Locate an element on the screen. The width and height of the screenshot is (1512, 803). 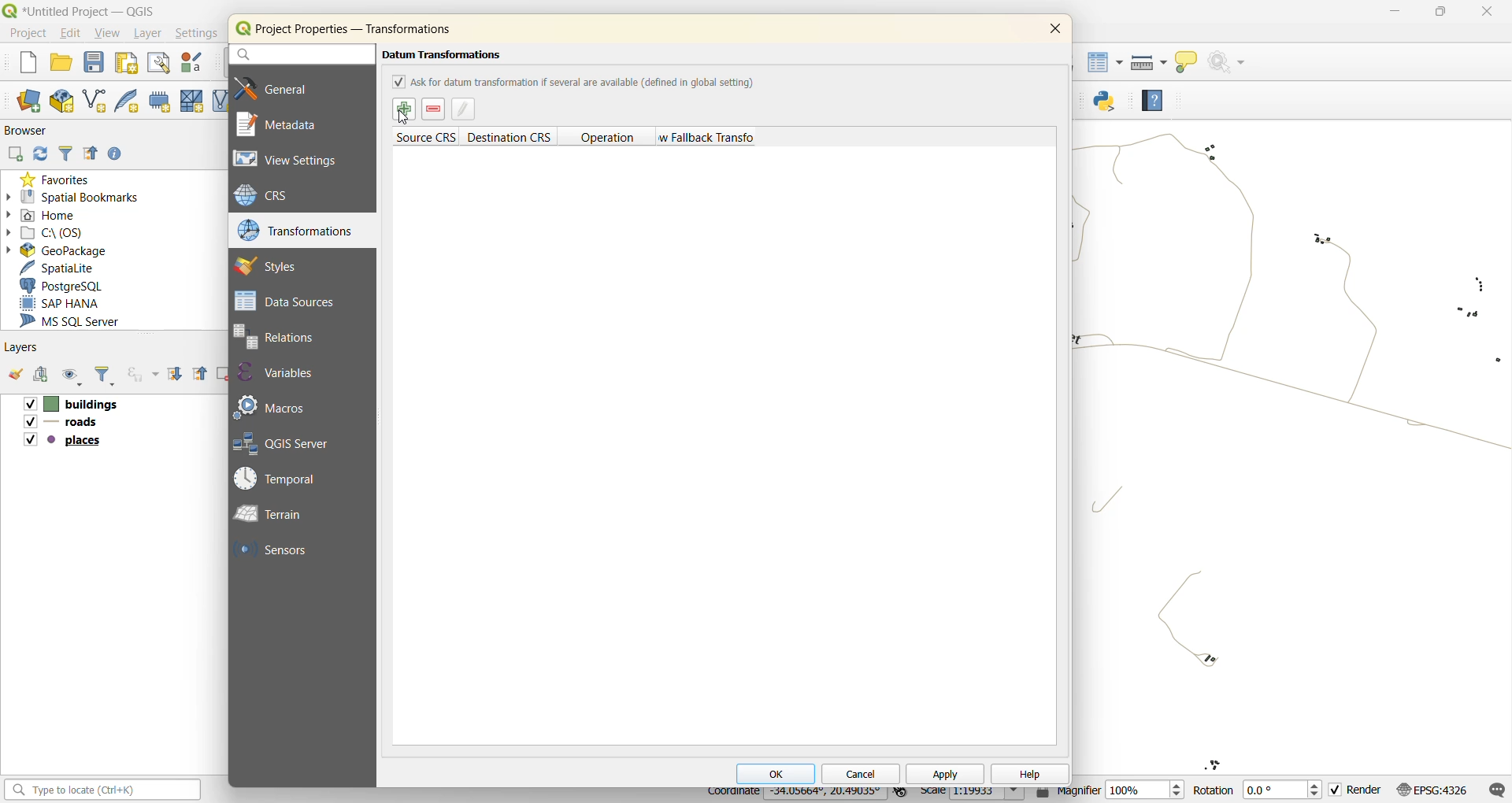
sensors is located at coordinates (276, 551).